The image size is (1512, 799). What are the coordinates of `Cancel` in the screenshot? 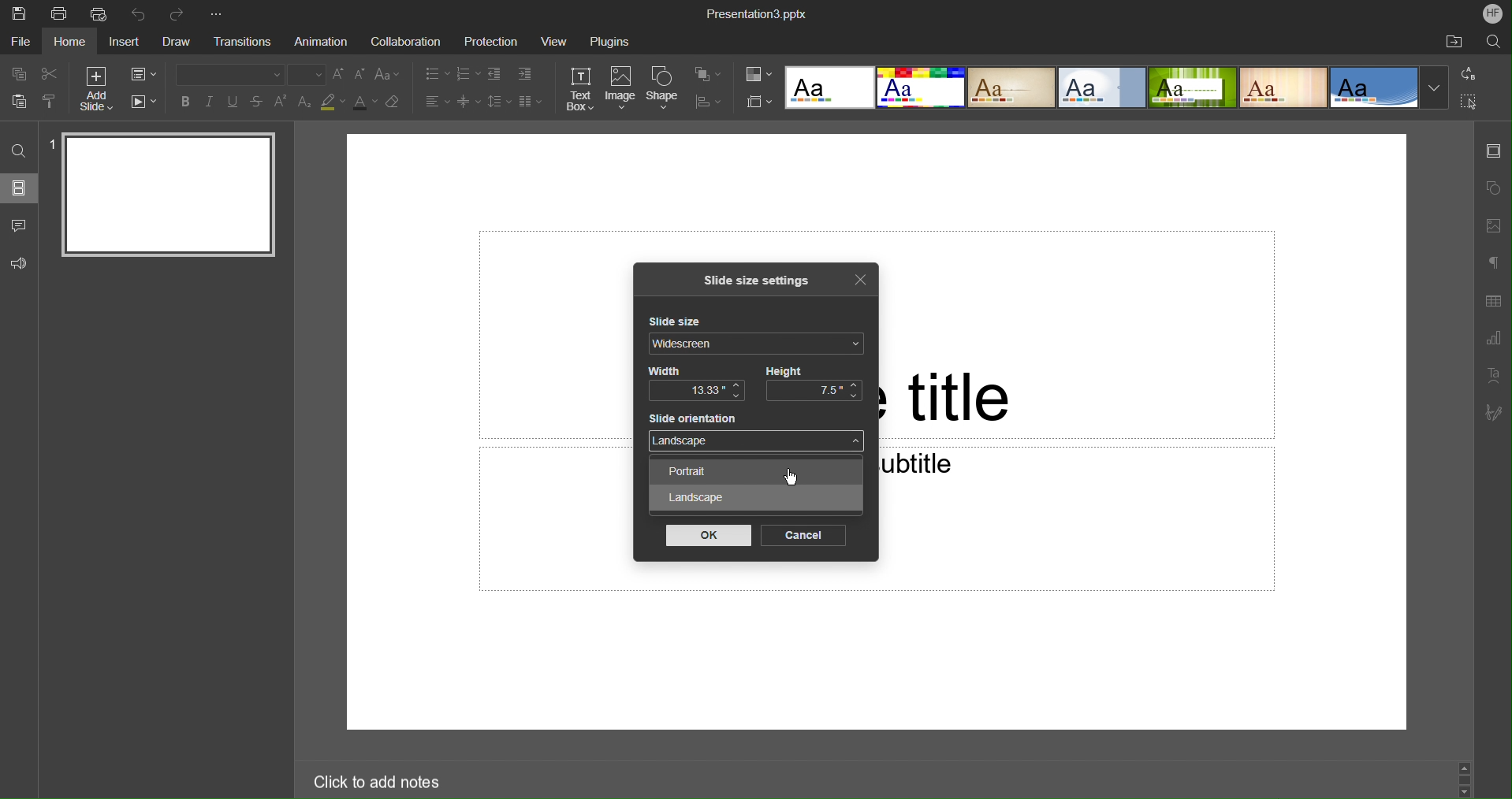 It's located at (803, 536).